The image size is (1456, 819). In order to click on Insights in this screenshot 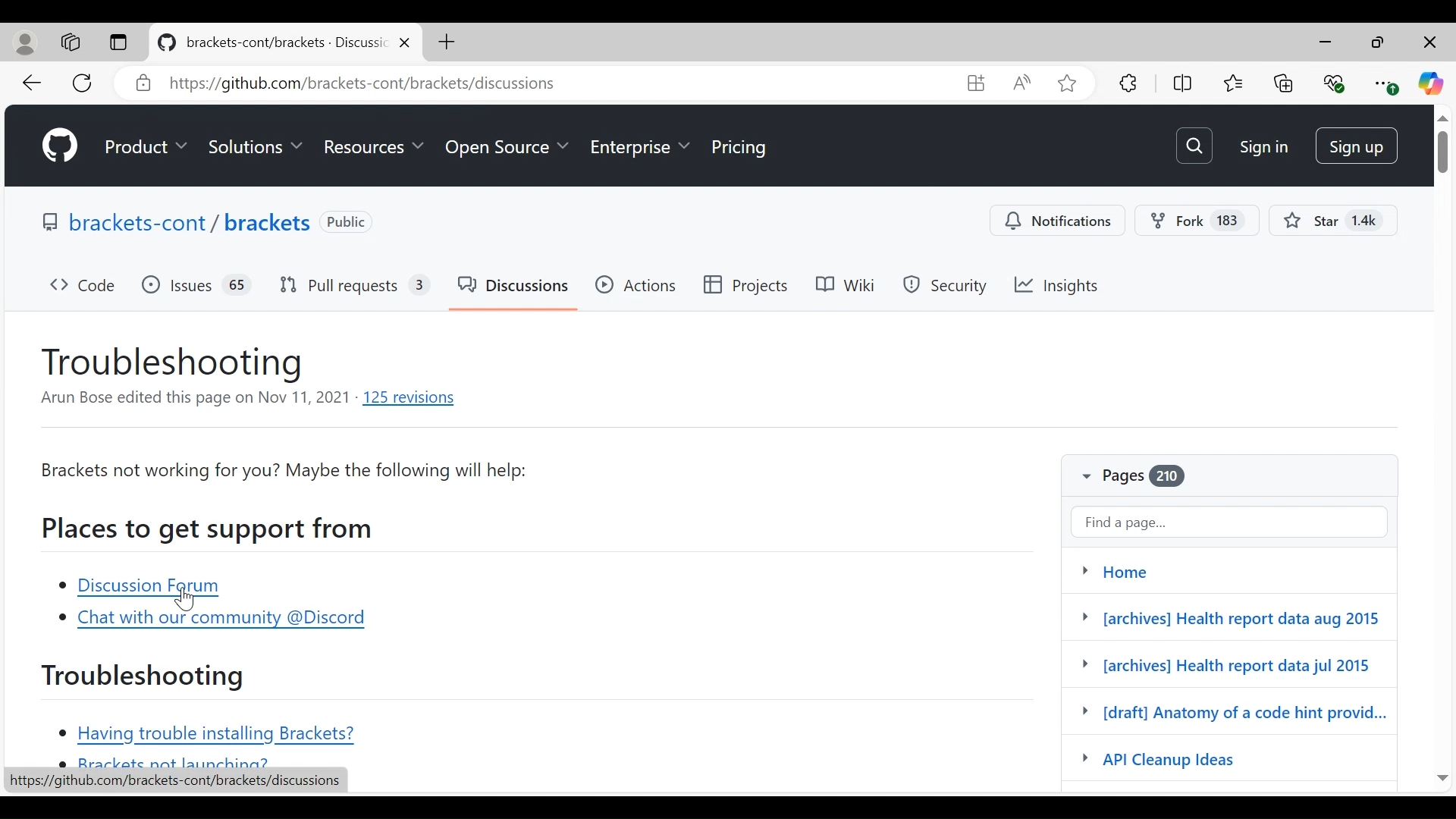, I will do `click(1059, 287)`.